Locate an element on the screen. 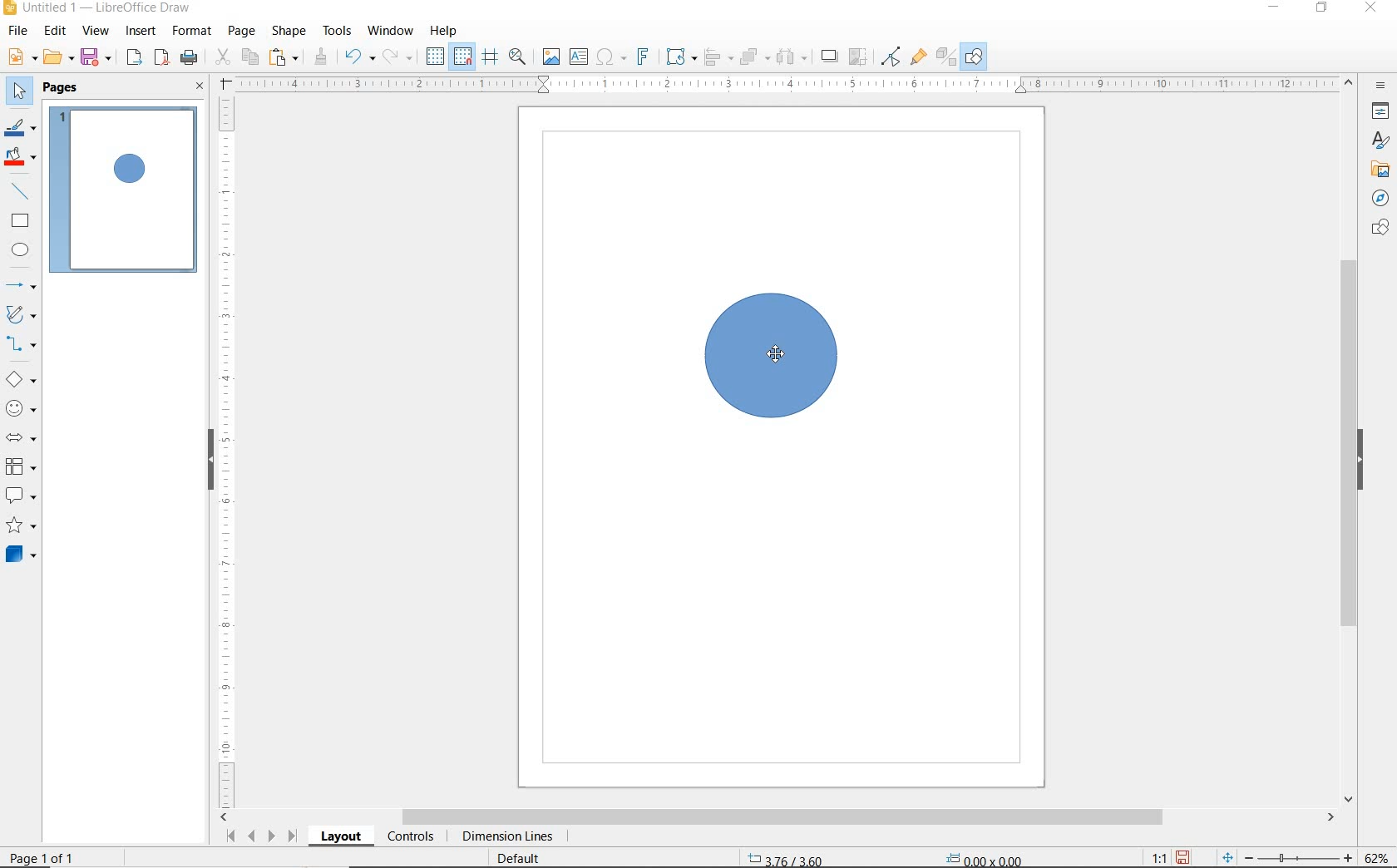  OPEN is located at coordinates (58, 57).